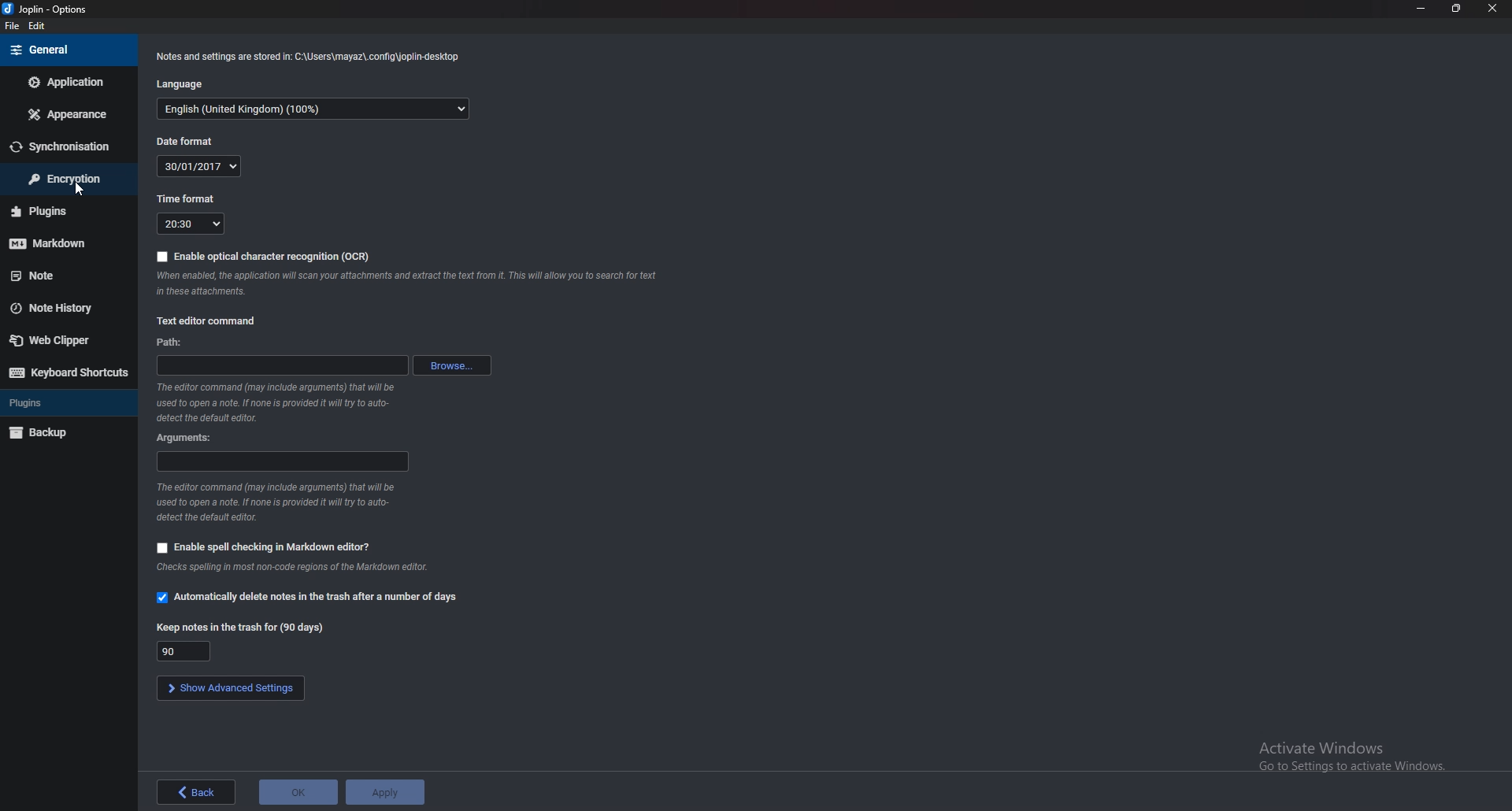  What do you see at coordinates (239, 628) in the screenshot?
I see `keep notes in trash for` at bounding box center [239, 628].